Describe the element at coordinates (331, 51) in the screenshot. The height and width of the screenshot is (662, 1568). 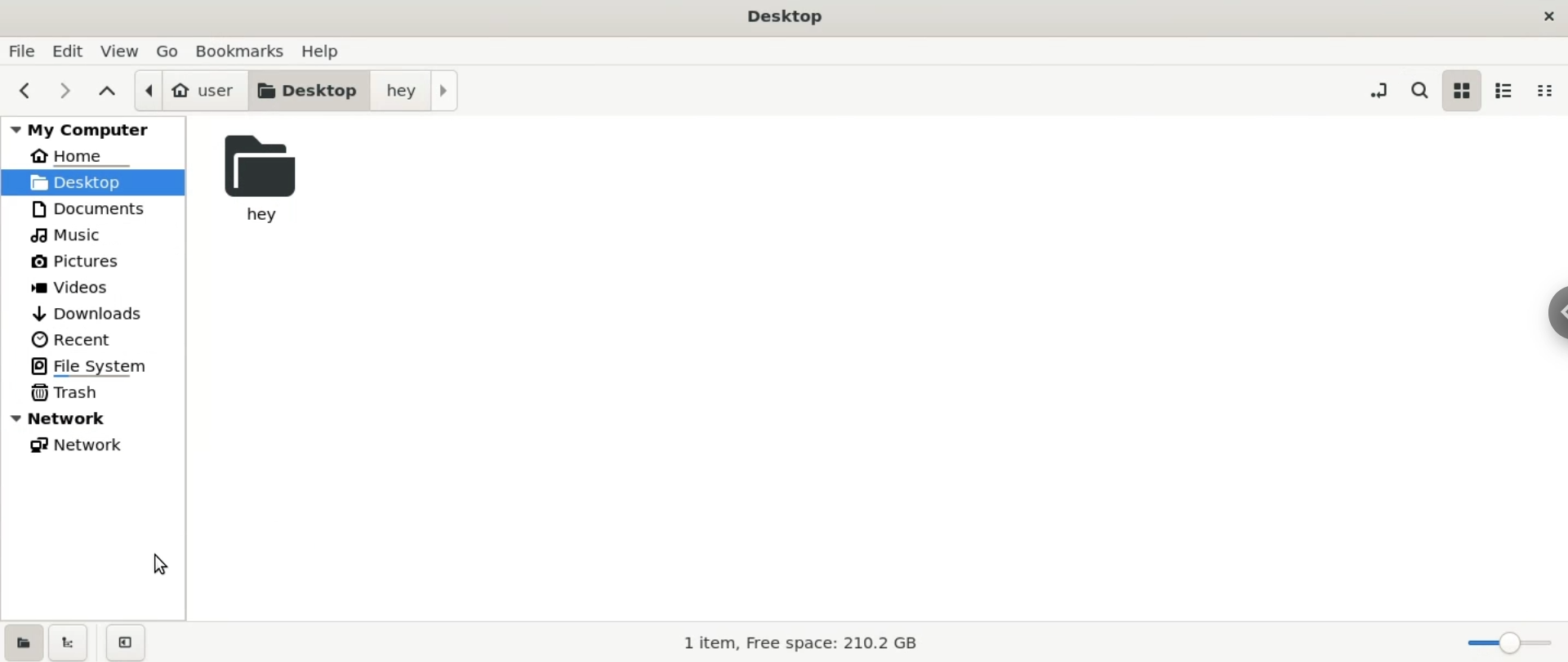
I see `help` at that location.